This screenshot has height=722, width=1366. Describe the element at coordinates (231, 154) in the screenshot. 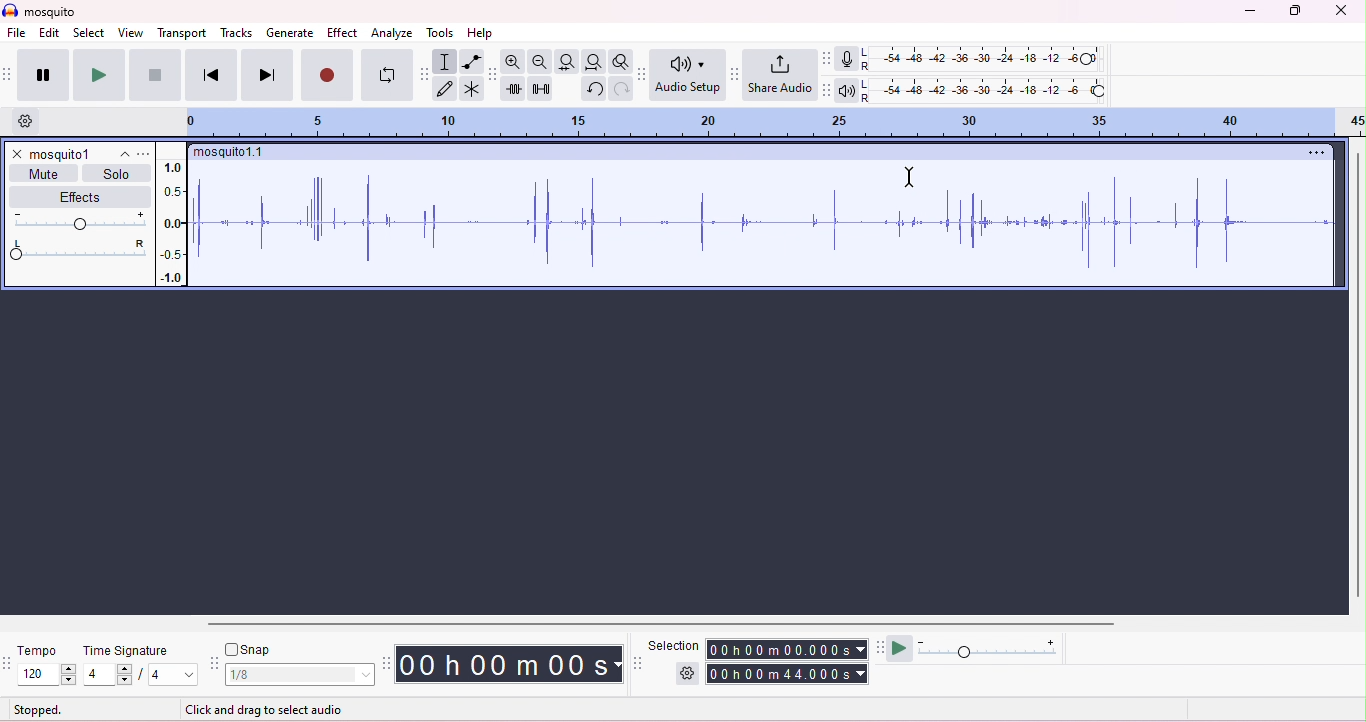

I see `track title` at that location.